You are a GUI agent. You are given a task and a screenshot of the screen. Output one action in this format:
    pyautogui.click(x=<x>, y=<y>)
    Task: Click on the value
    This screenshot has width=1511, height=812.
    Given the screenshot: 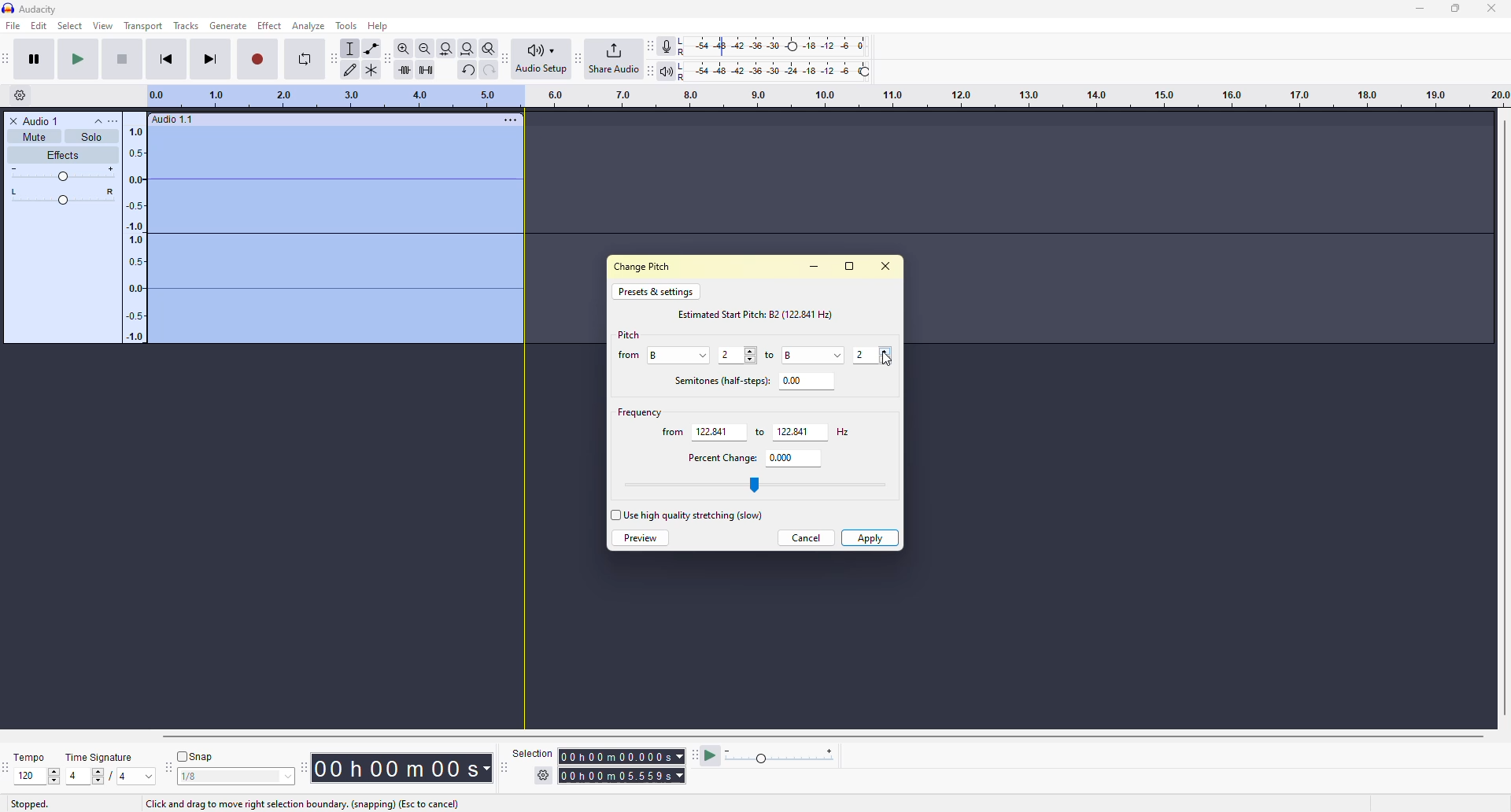 What is the action you would take?
    pyautogui.click(x=711, y=430)
    